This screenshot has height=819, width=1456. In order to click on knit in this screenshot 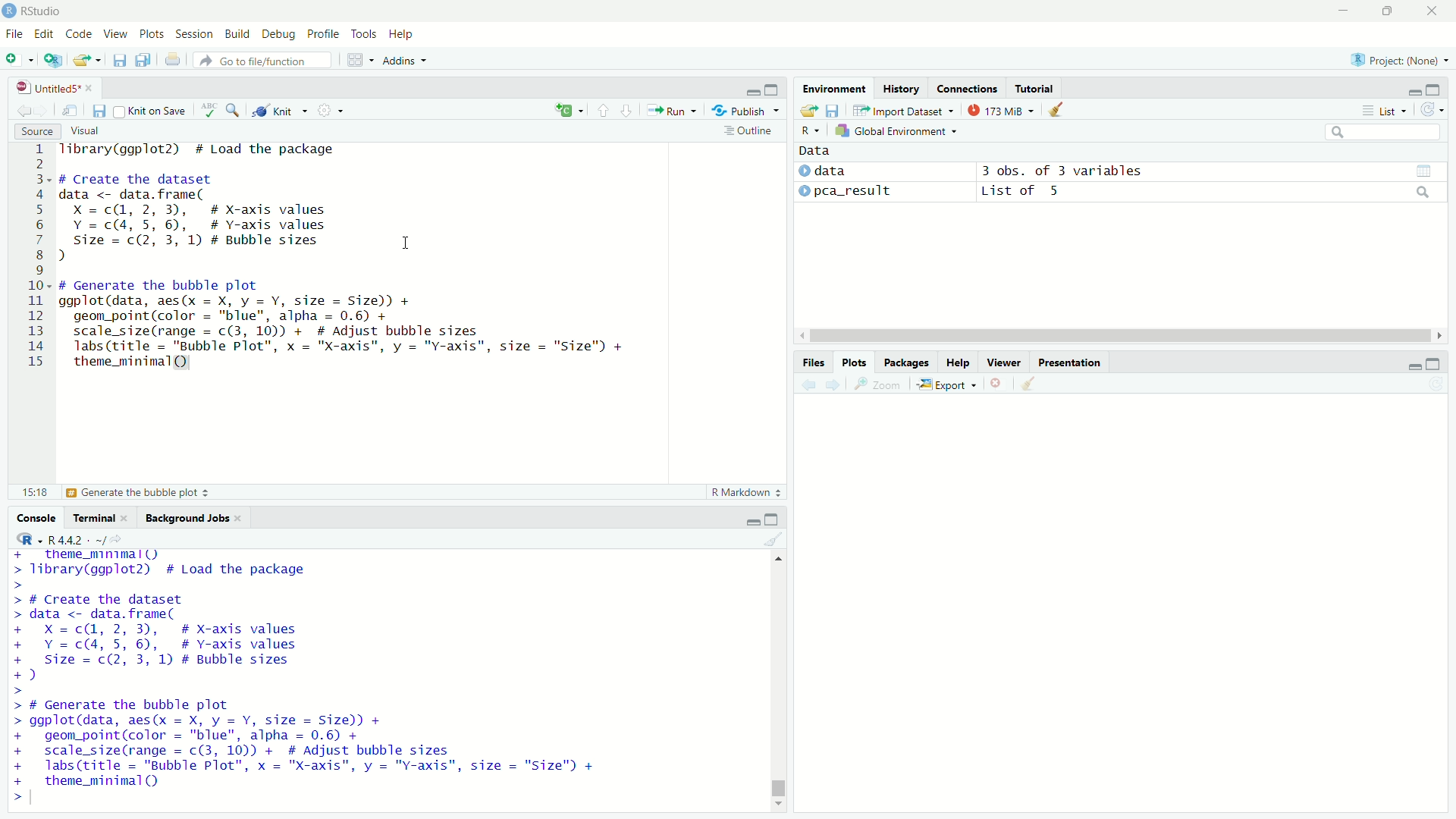, I will do `click(281, 109)`.